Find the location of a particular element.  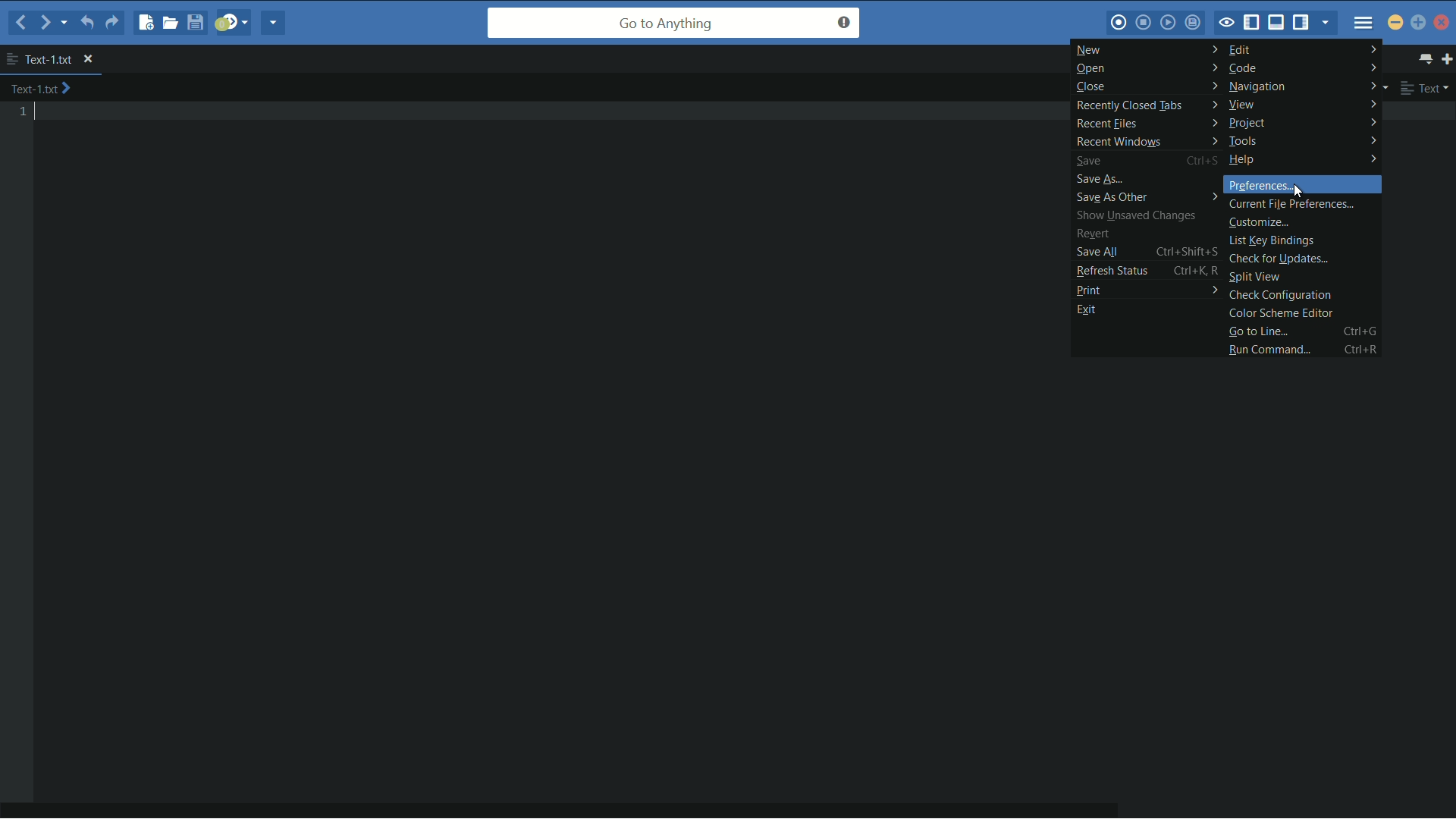

current file preferences is located at coordinates (1289, 205).